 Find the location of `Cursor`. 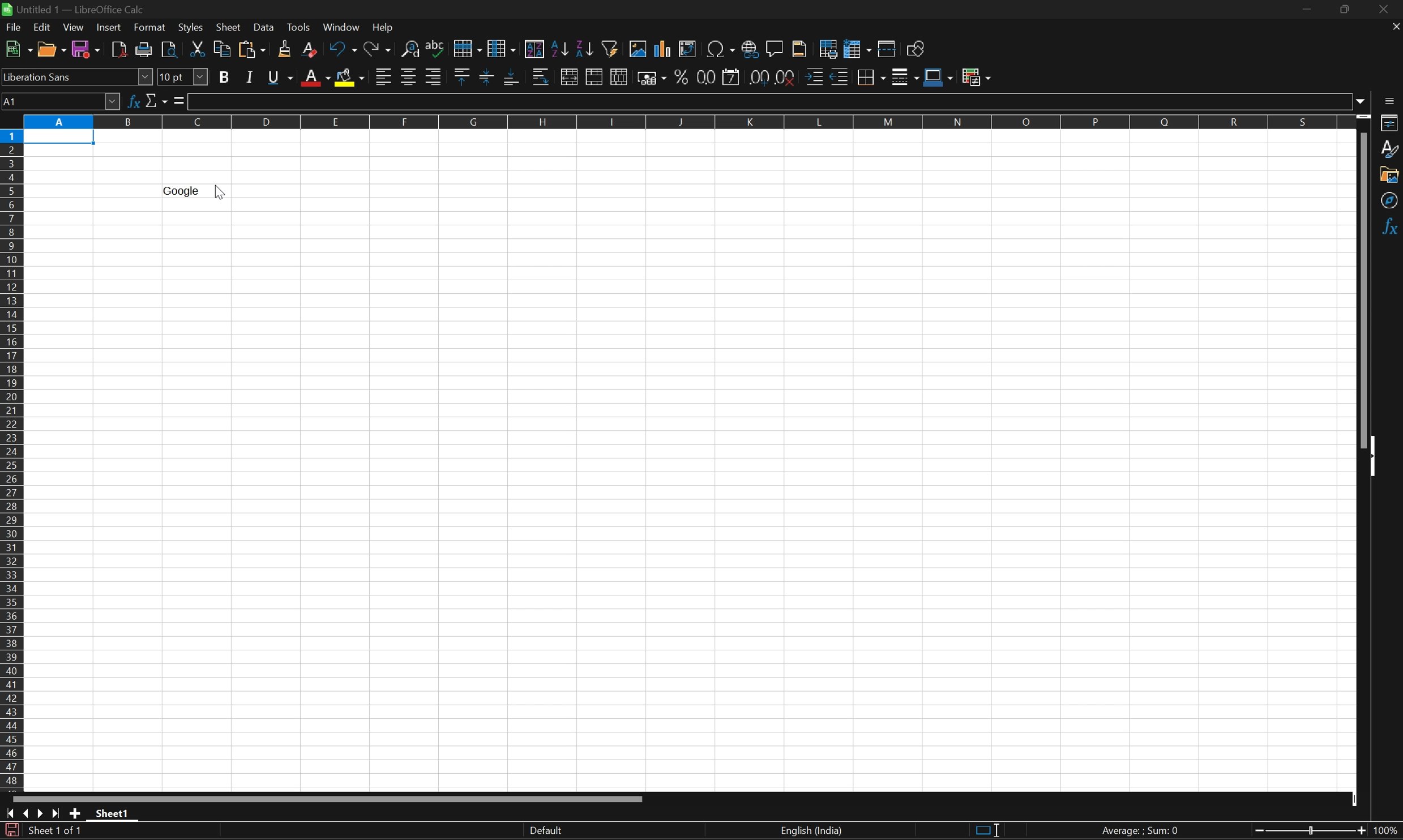

Cursor is located at coordinates (220, 194).